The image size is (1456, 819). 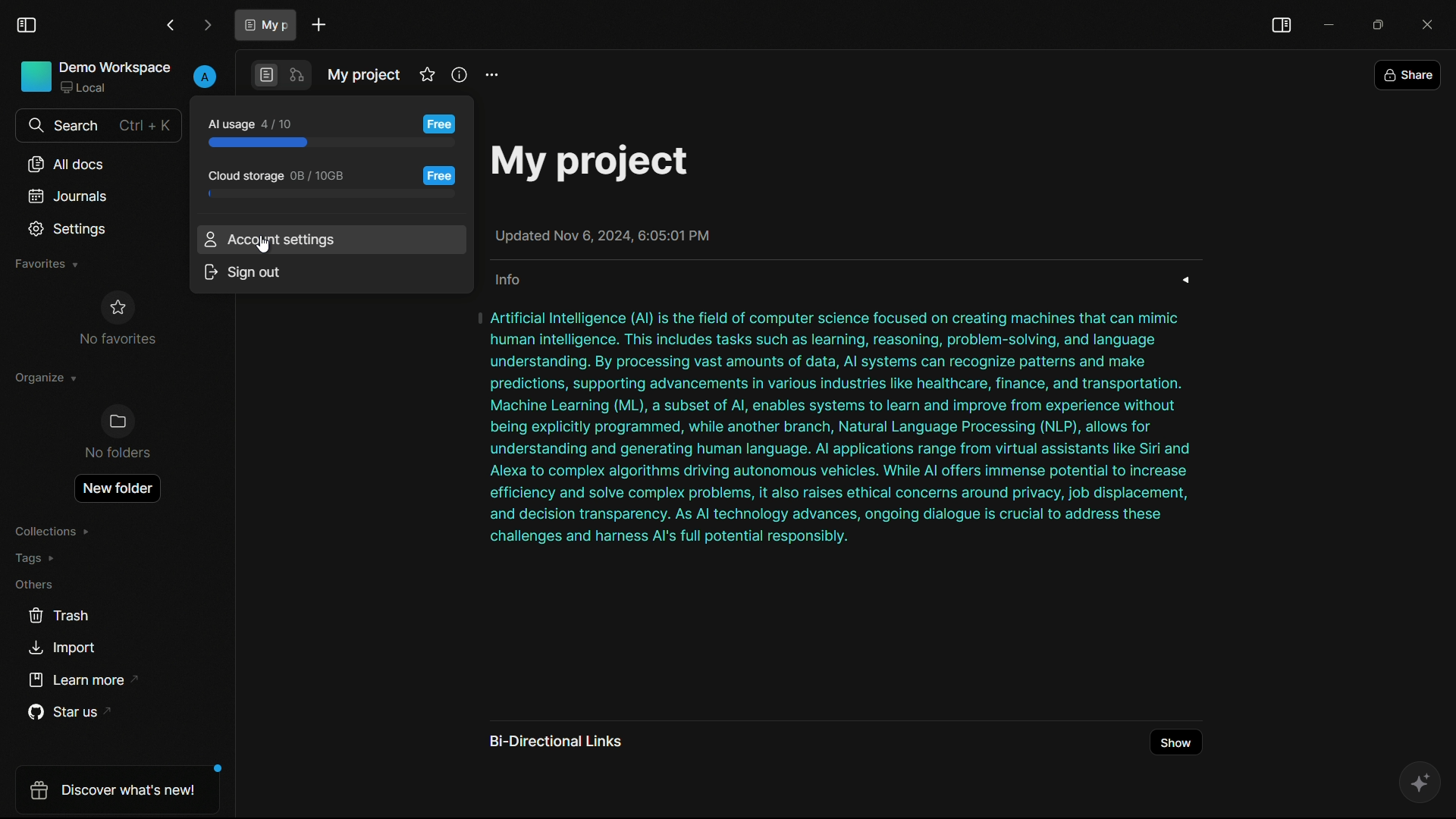 What do you see at coordinates (440, 175) in the screenshot?
I see `free` at bounding box center [440, 175].